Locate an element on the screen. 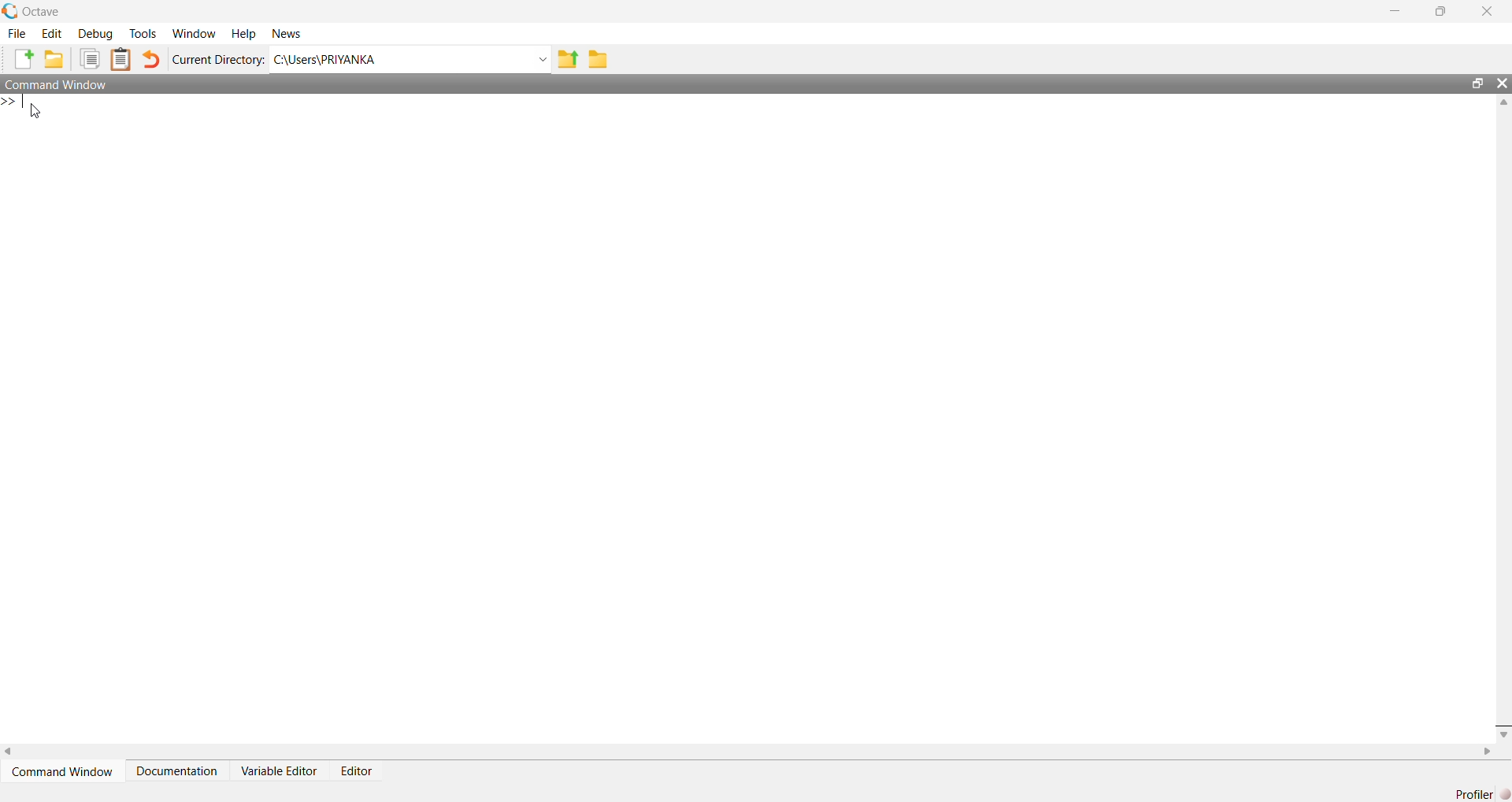 The width and height of the screenshot is (1512, 802). logo is located at coordinates (11, 12).